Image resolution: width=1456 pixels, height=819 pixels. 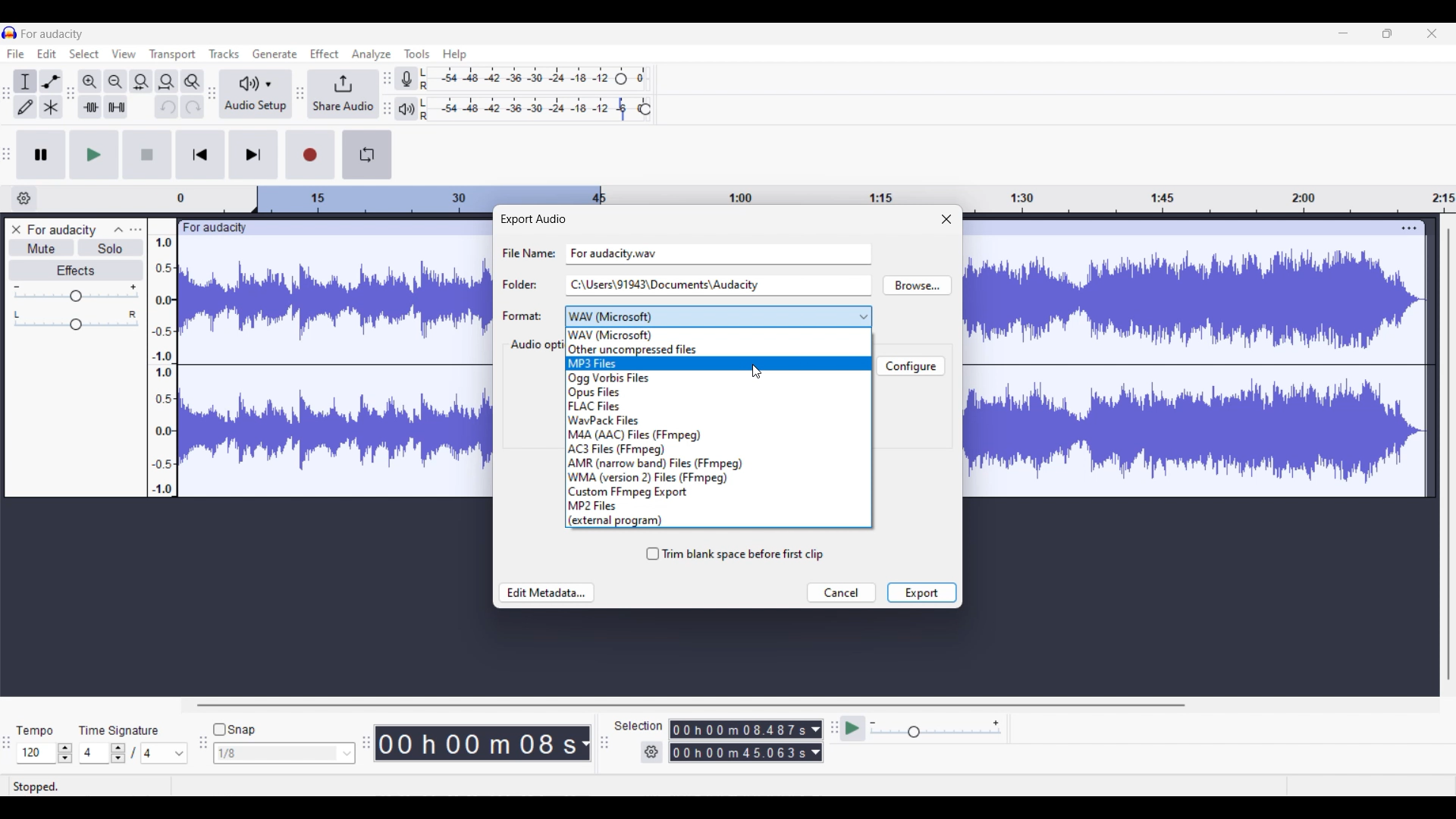 I want to click on Fit selection to width, so click(x=140, y=83).